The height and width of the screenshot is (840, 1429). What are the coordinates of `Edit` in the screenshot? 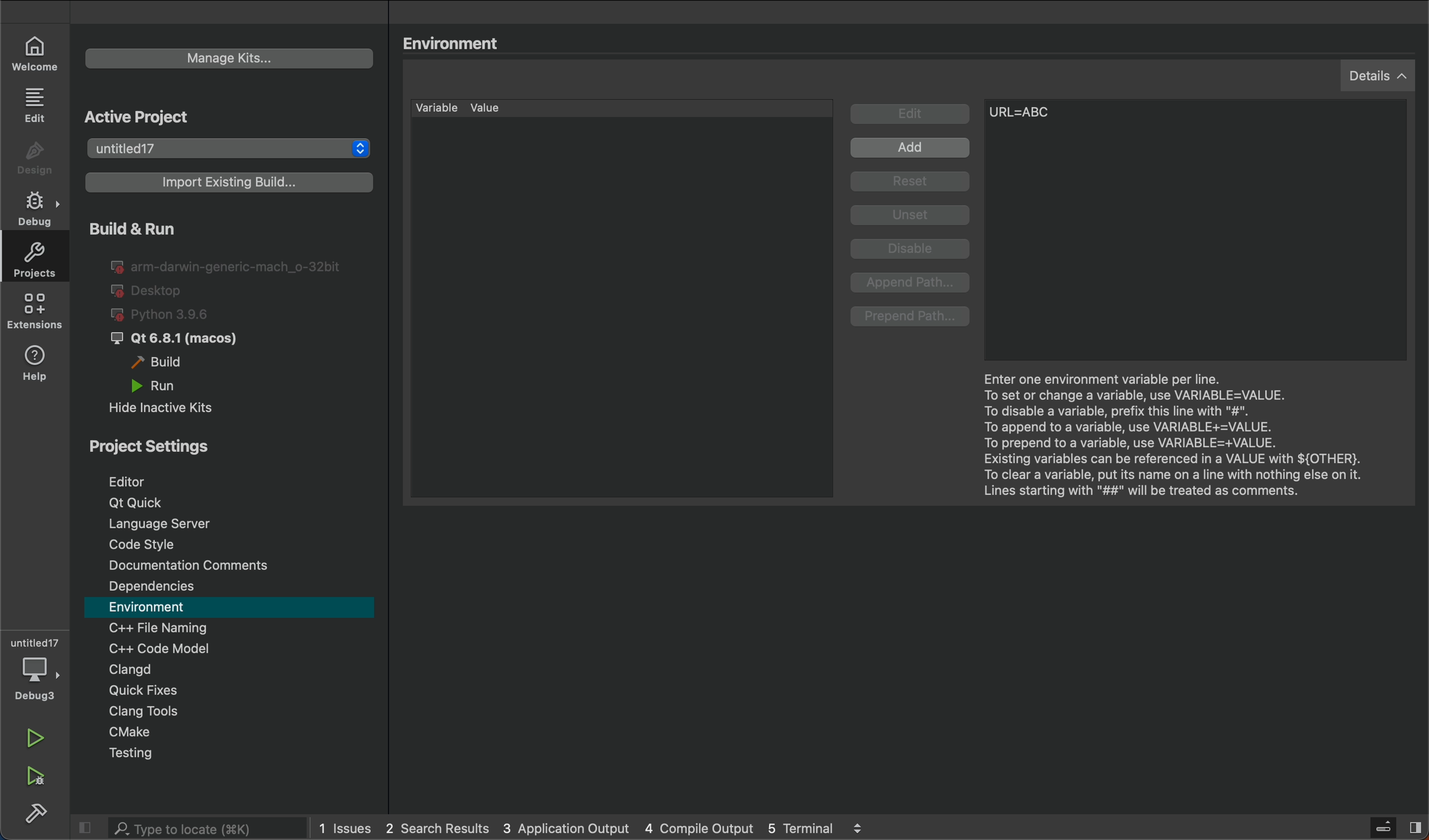 It's located at (912, 115).